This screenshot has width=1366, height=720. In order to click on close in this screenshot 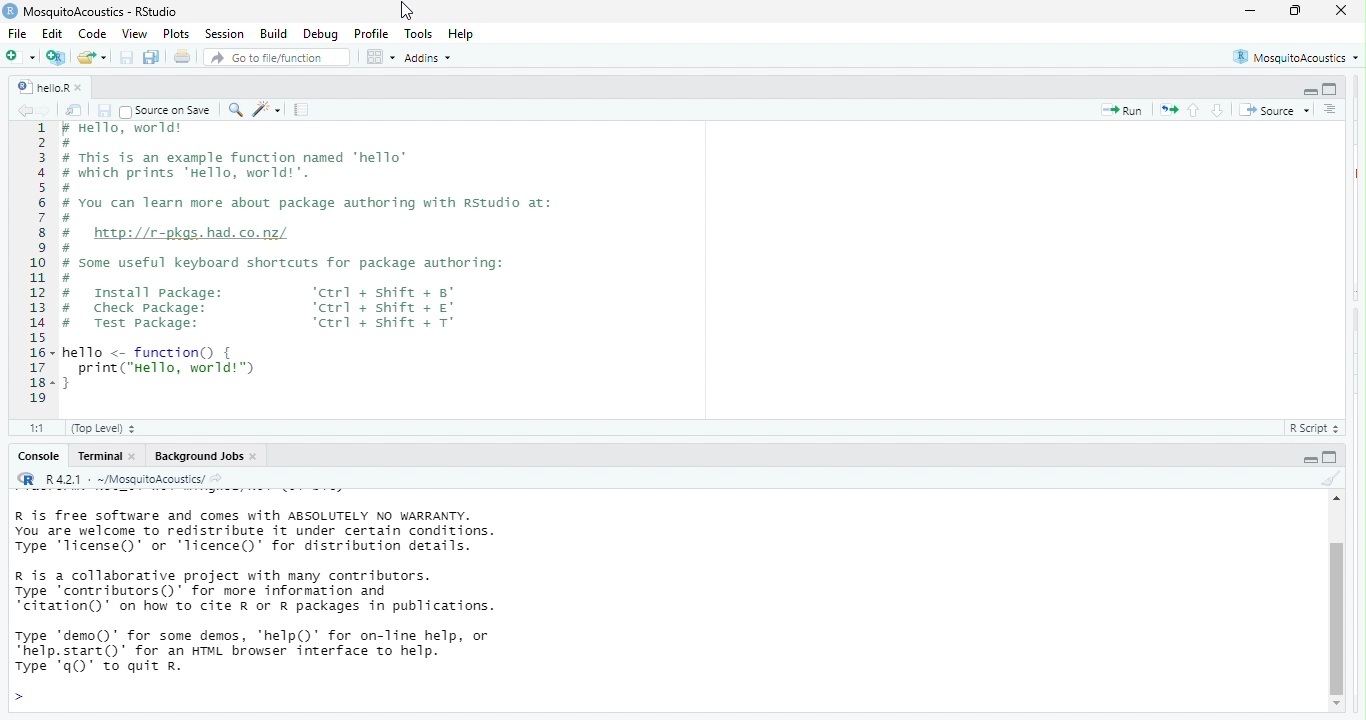, I will do `click(81, 86)`.